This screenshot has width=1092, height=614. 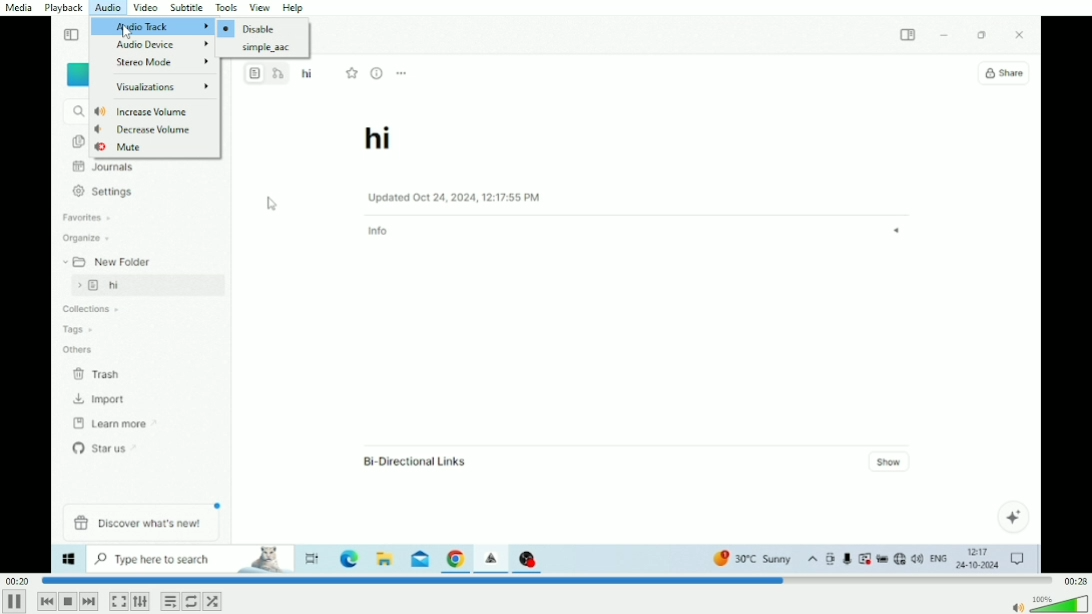 I want to click on Visualizations, so click(x=162, y=89).